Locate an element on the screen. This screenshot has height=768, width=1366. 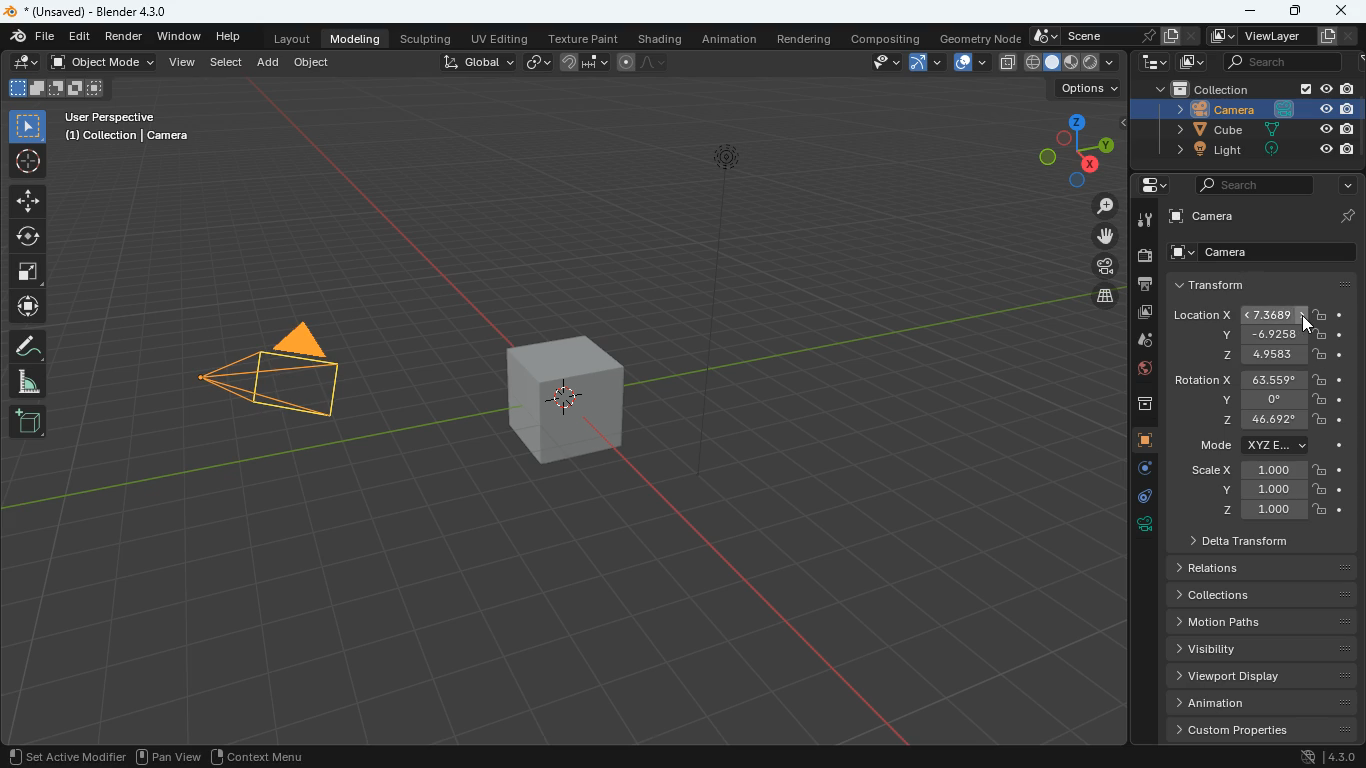
move is located at coordinates (28, 308).